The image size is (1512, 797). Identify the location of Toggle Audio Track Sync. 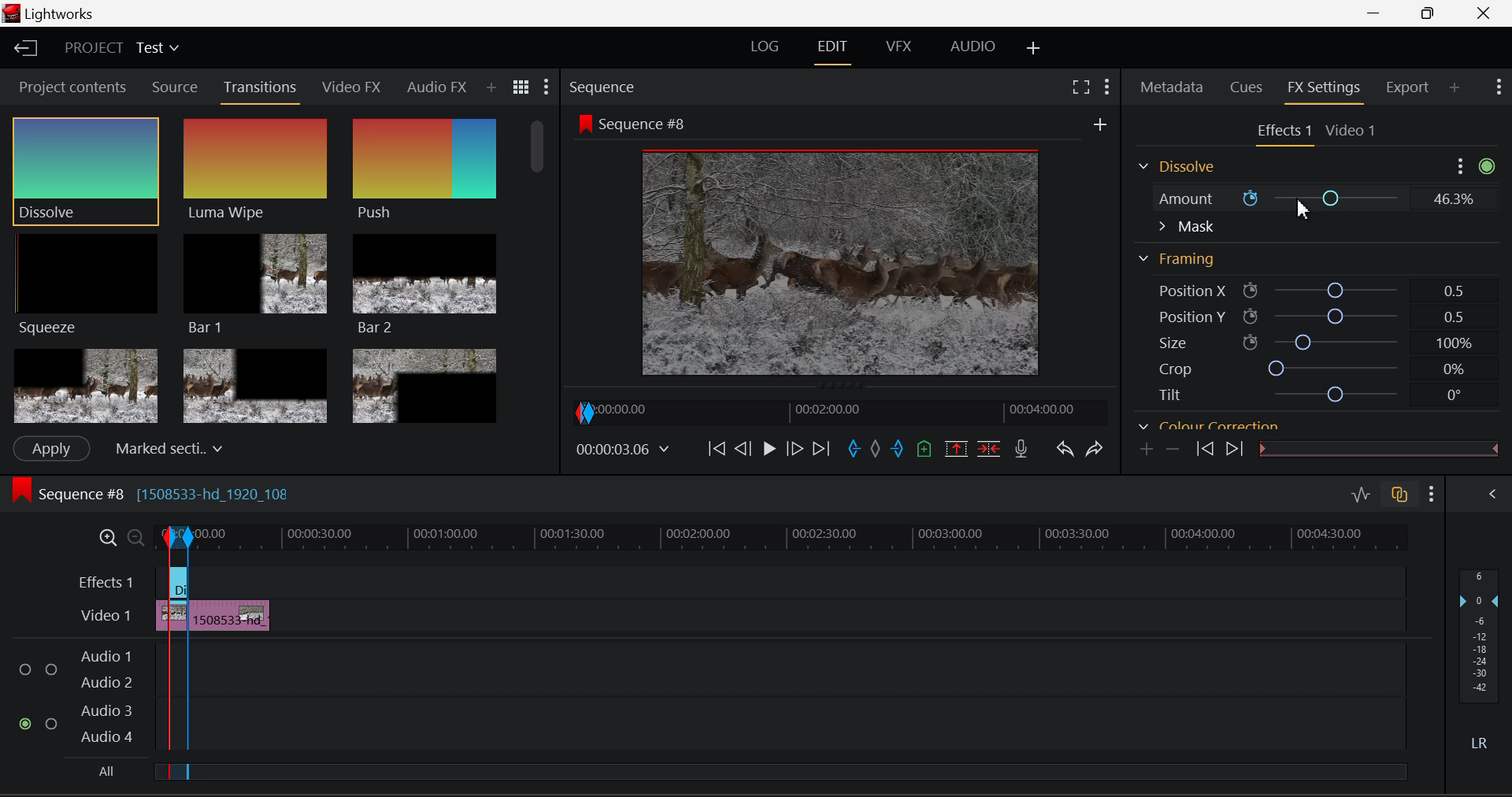
(1402, 496).